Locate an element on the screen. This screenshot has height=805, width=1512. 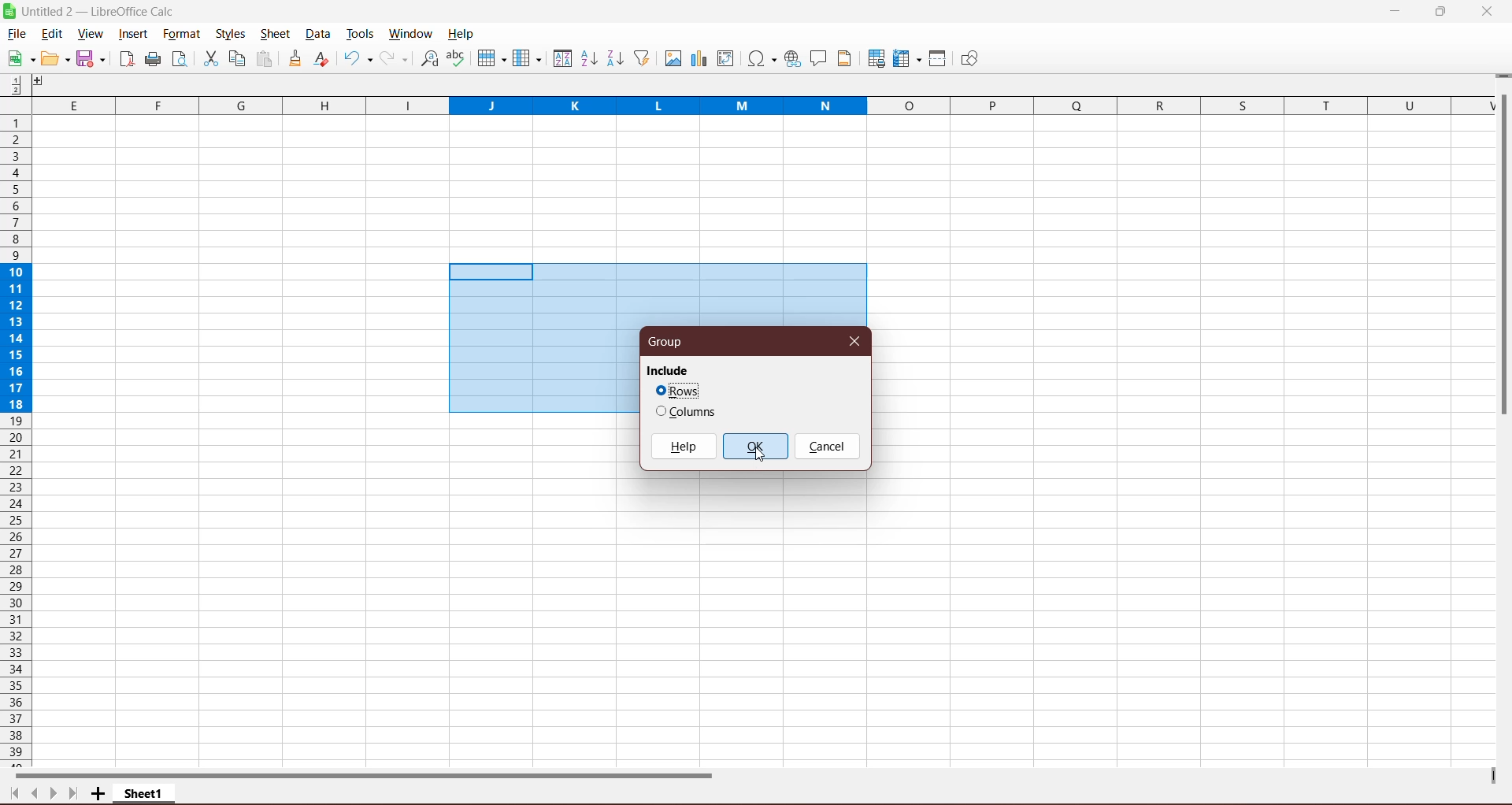
Columns is located at coordinates (749, 104).